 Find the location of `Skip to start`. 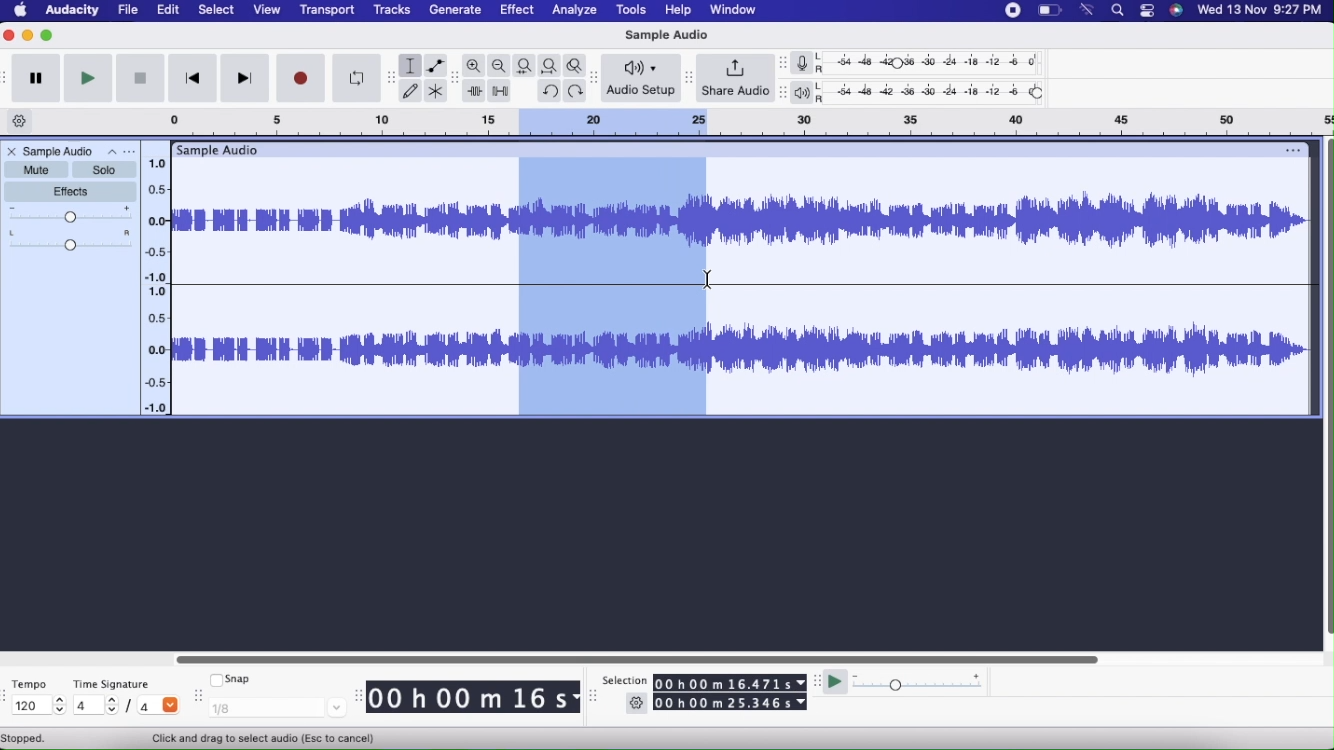

Skip to start is located at coordinates (191, 80).